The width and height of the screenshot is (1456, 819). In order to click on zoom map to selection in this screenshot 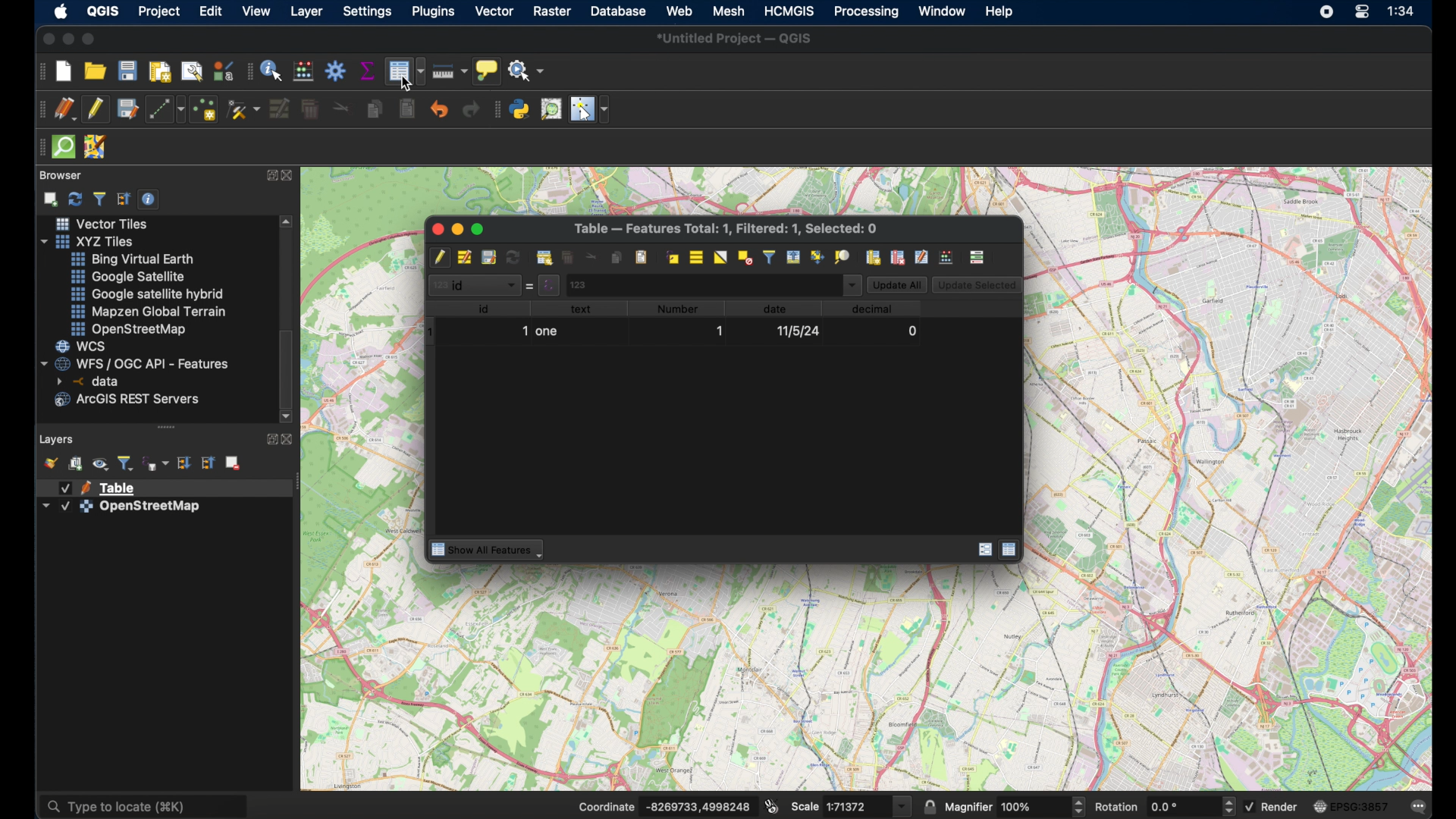, I will do `click(844, 256)`.